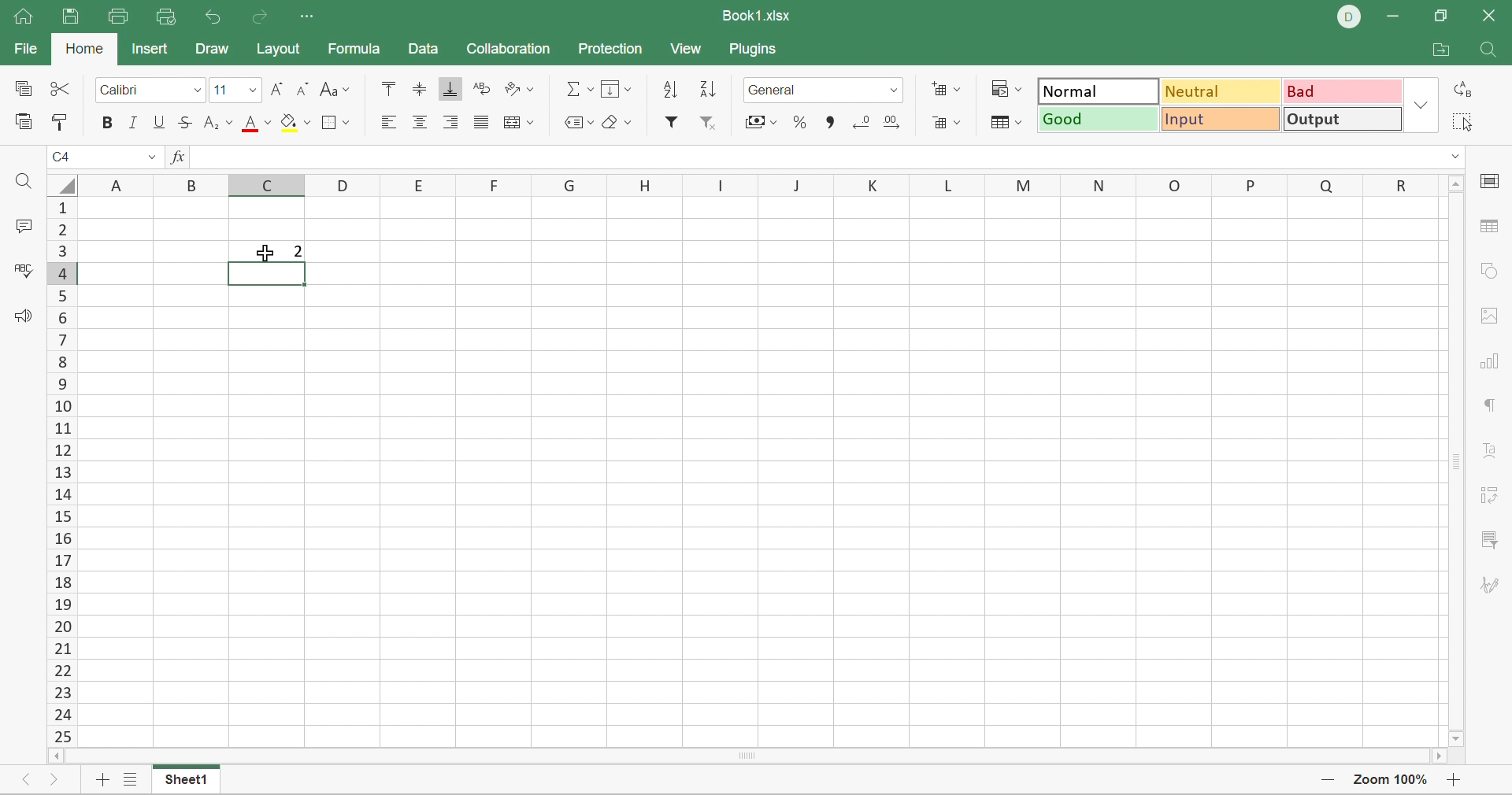 This screenshot has height=795, width=1512. I want to click on Replace, so click(1458, 90).